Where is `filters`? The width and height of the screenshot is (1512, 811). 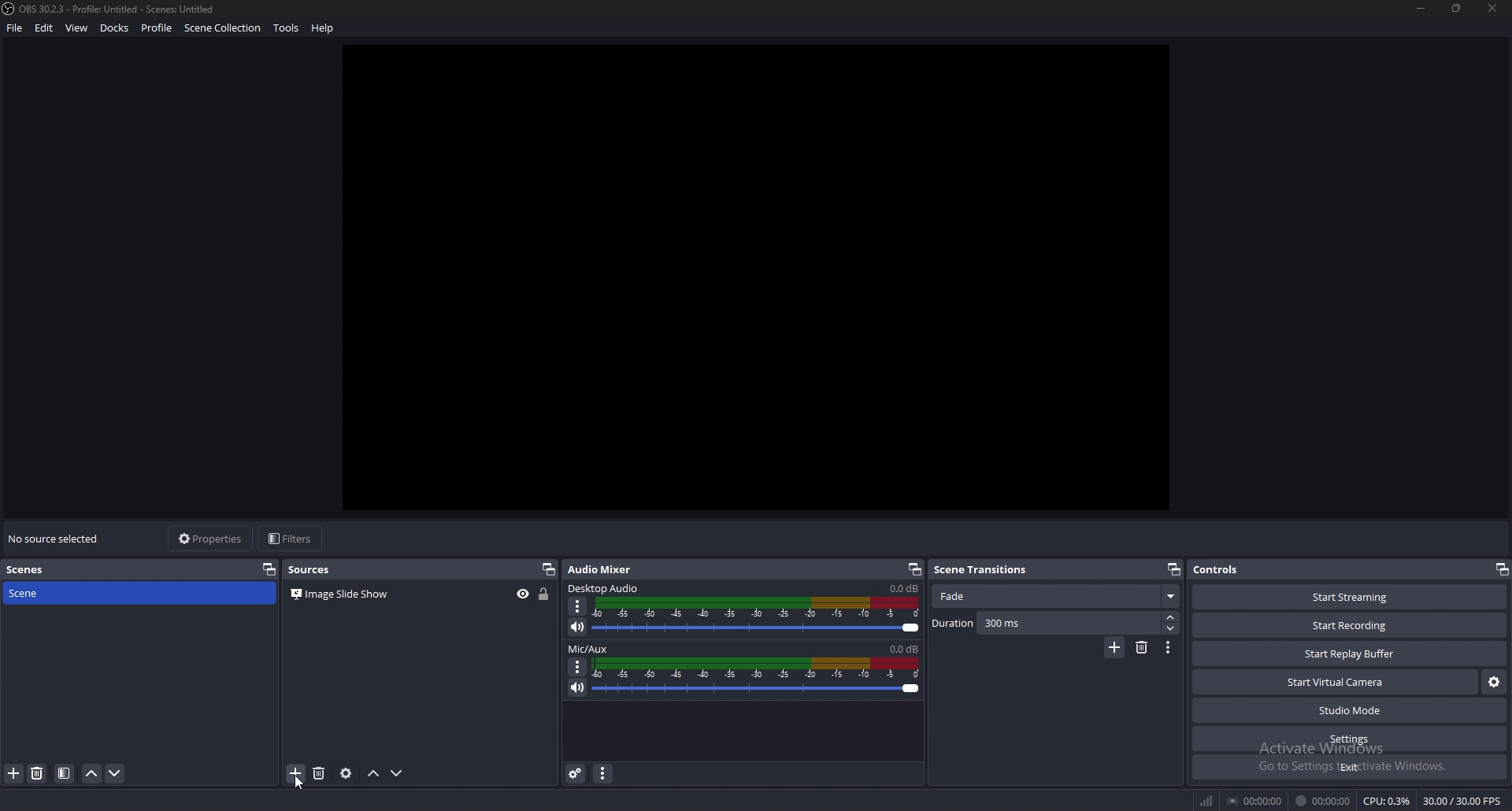
filters is located at coordinates (291, 539).